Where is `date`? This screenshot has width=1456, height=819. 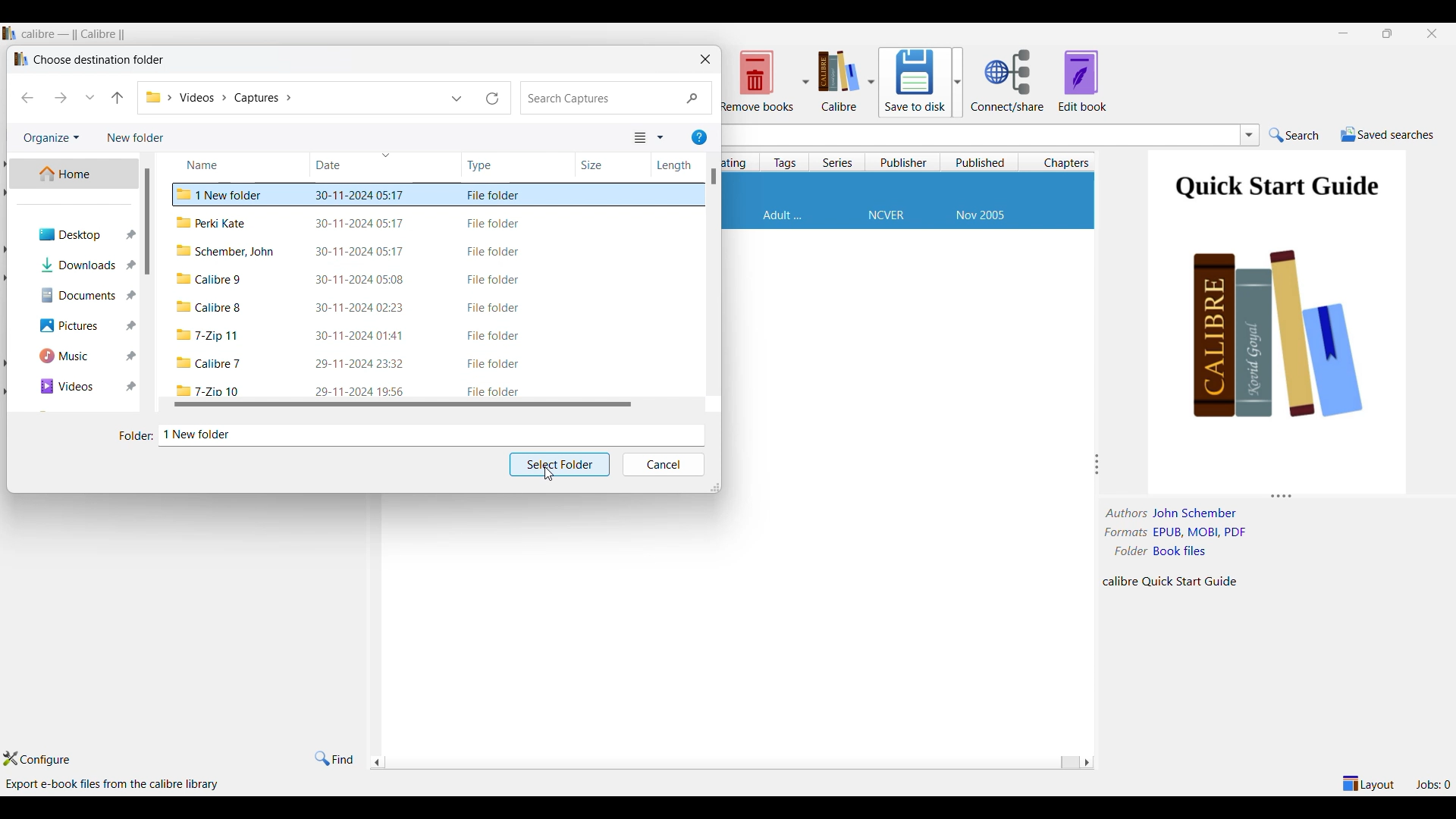 date is located at coordinates (357, 251).